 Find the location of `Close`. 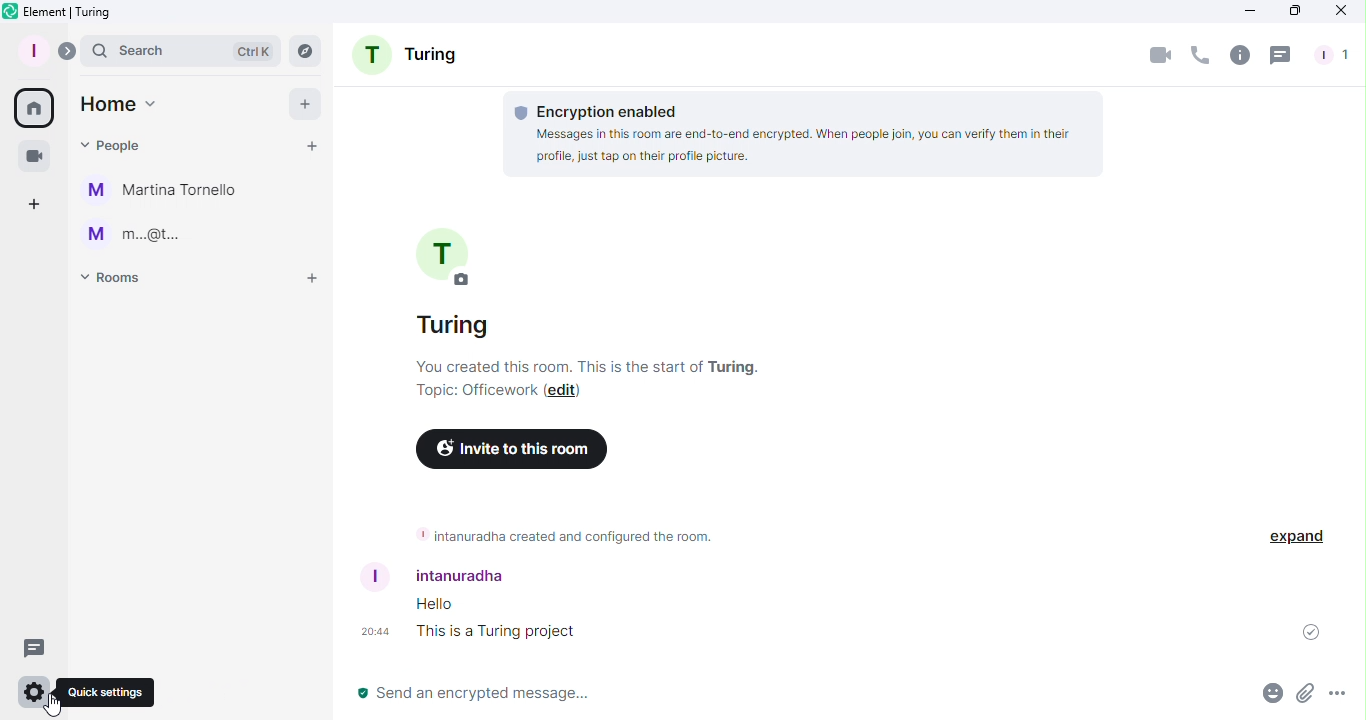

Close is located at coordinates (1341, 11).